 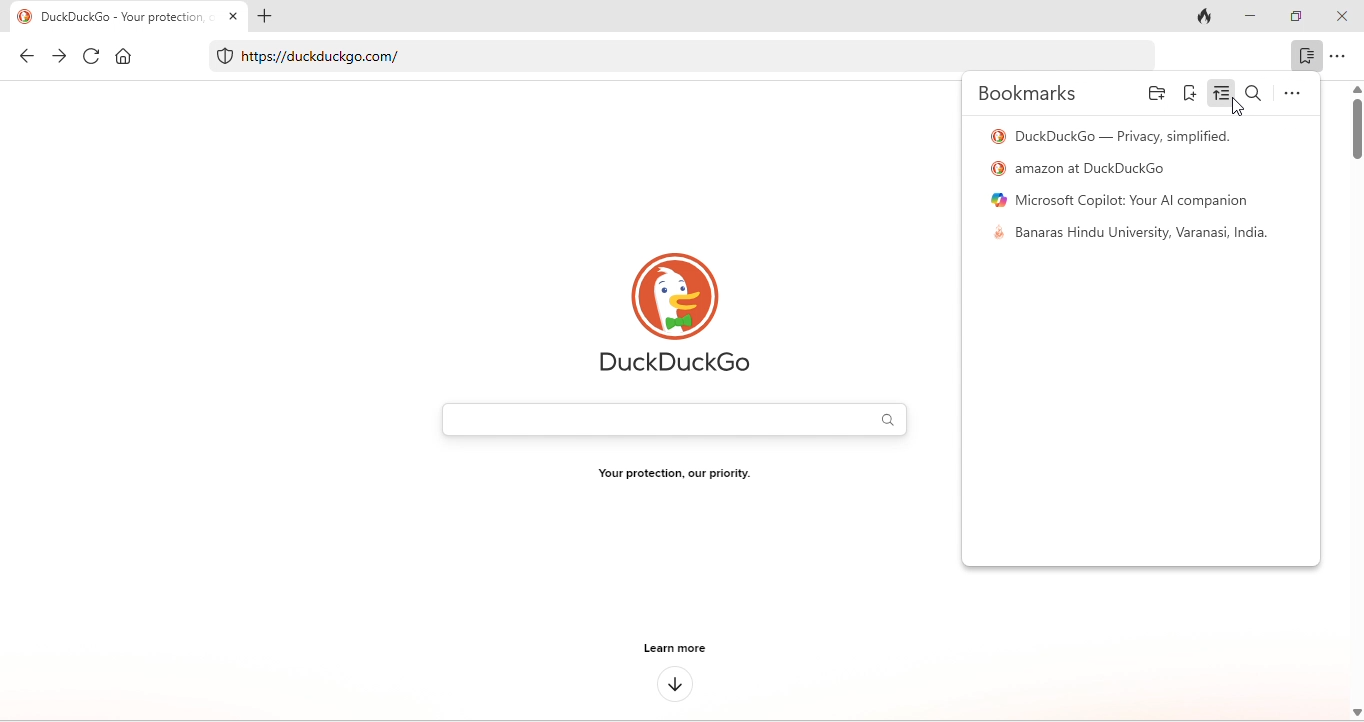 I want to click on search bar, so click(x=673, y=417).